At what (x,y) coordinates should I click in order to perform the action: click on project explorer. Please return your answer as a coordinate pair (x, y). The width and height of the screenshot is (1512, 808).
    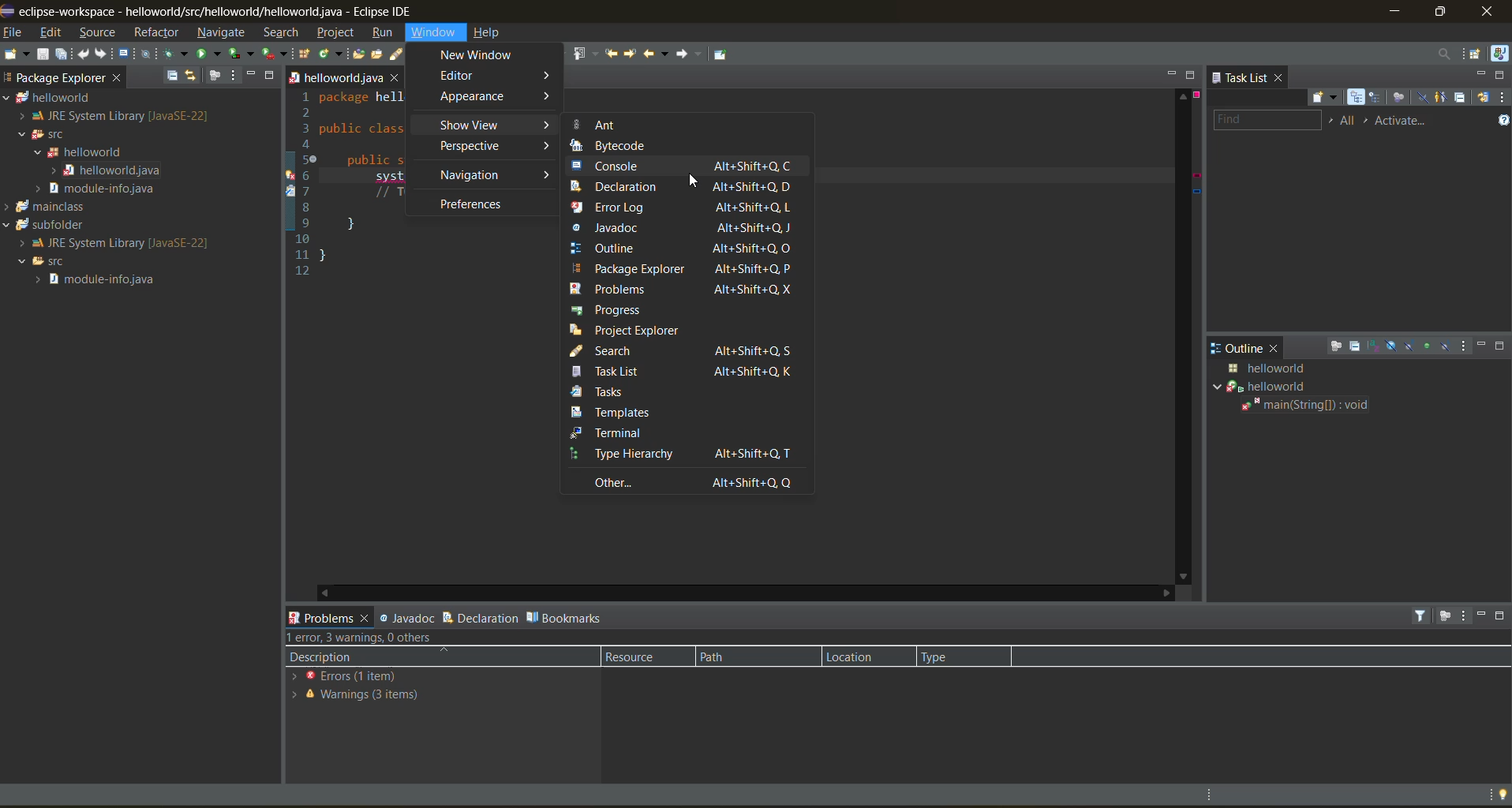
    Looking at the image, I should click on (648, 331).